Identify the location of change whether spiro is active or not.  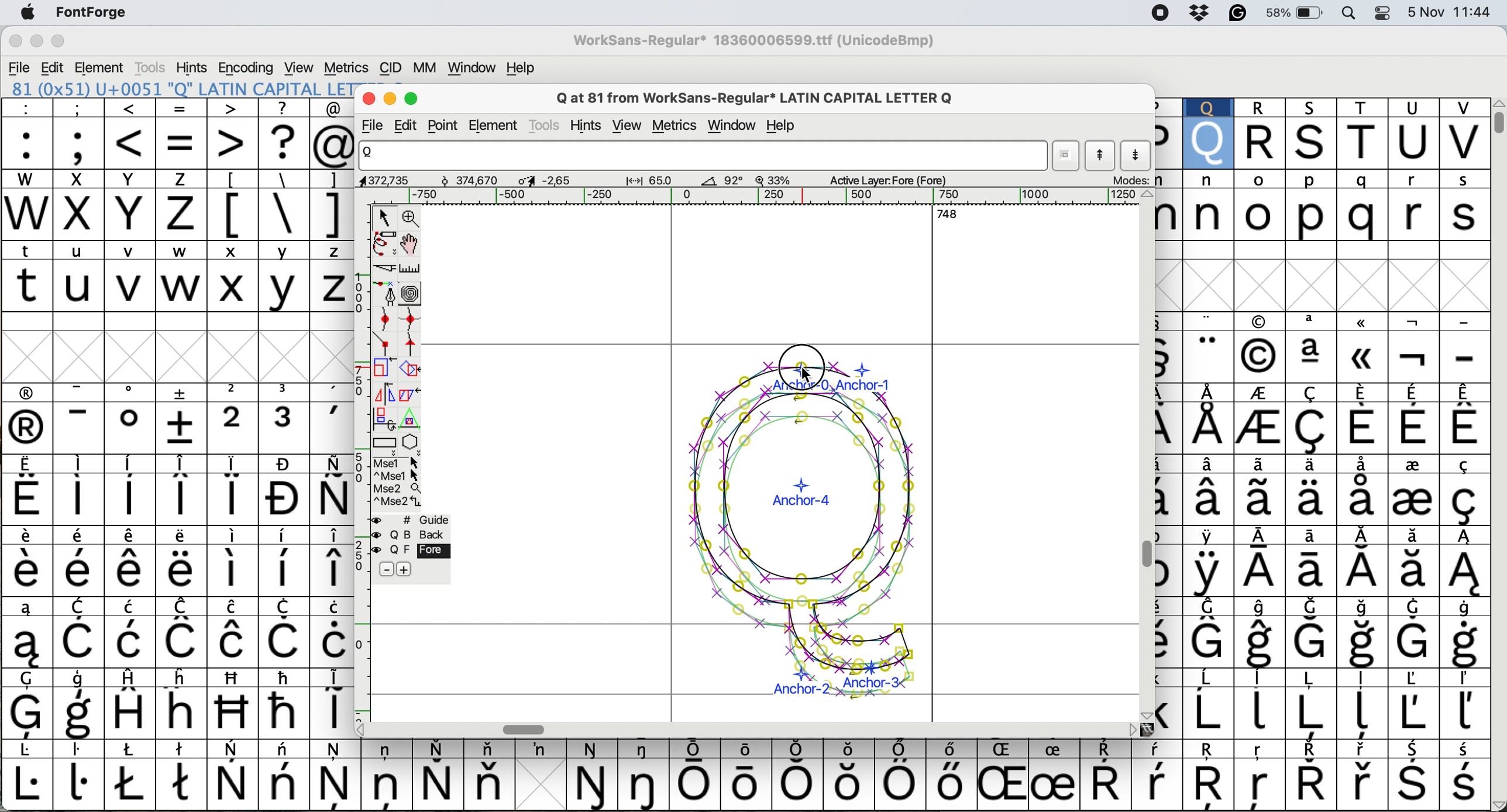
(413, 295).